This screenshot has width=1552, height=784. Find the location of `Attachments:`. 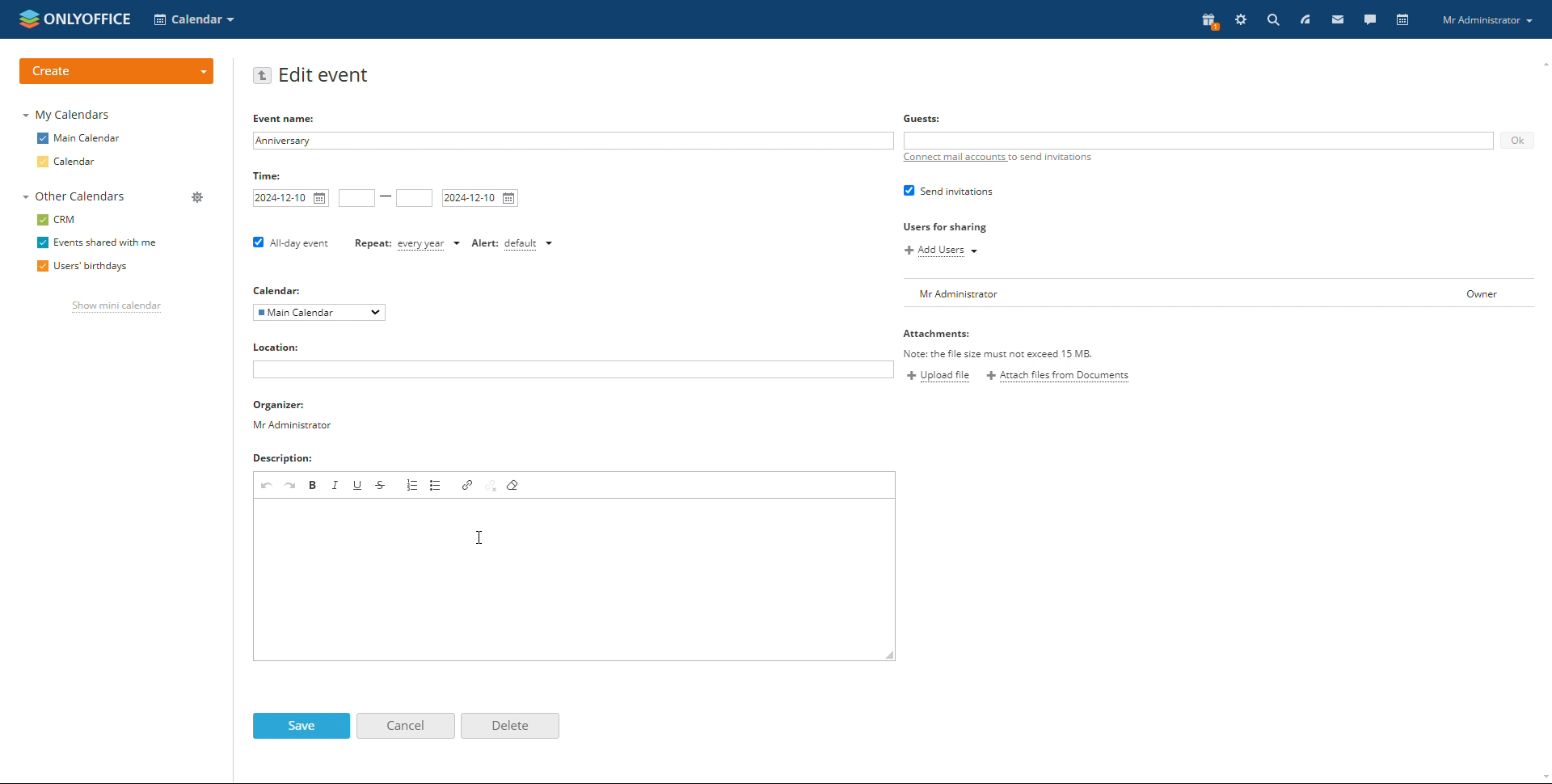

Attachments: is located at coordinates (943, 335).